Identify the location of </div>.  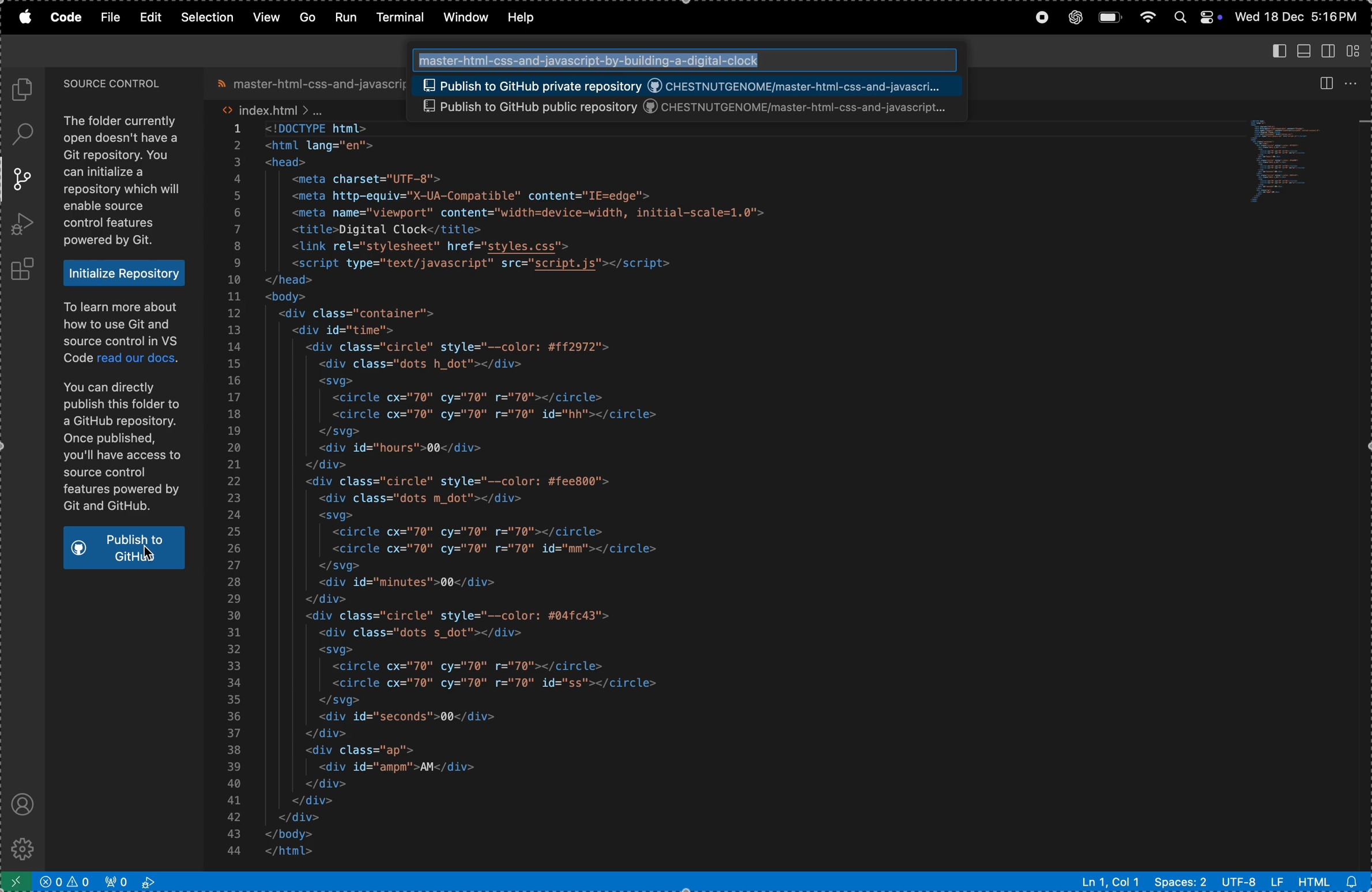
(307, 817).